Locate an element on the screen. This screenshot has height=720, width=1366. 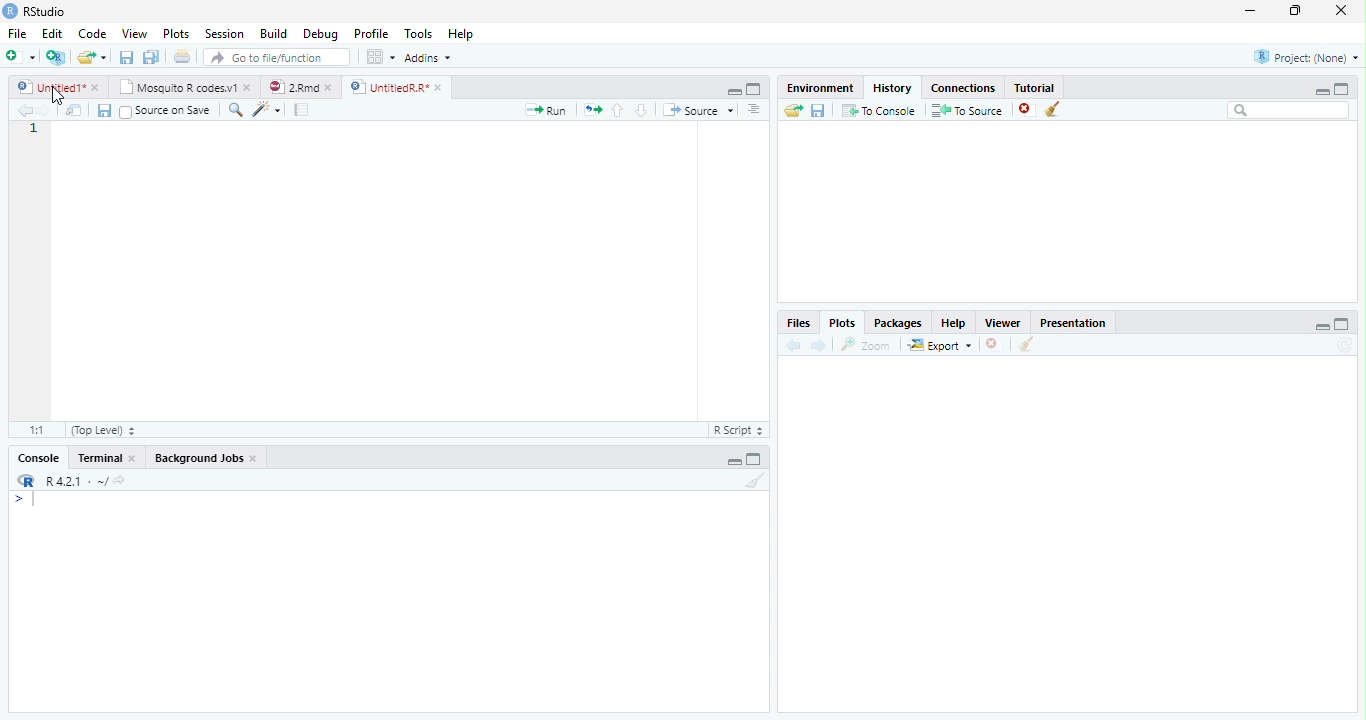
Save all open documents is located at coordinates (150, 56).